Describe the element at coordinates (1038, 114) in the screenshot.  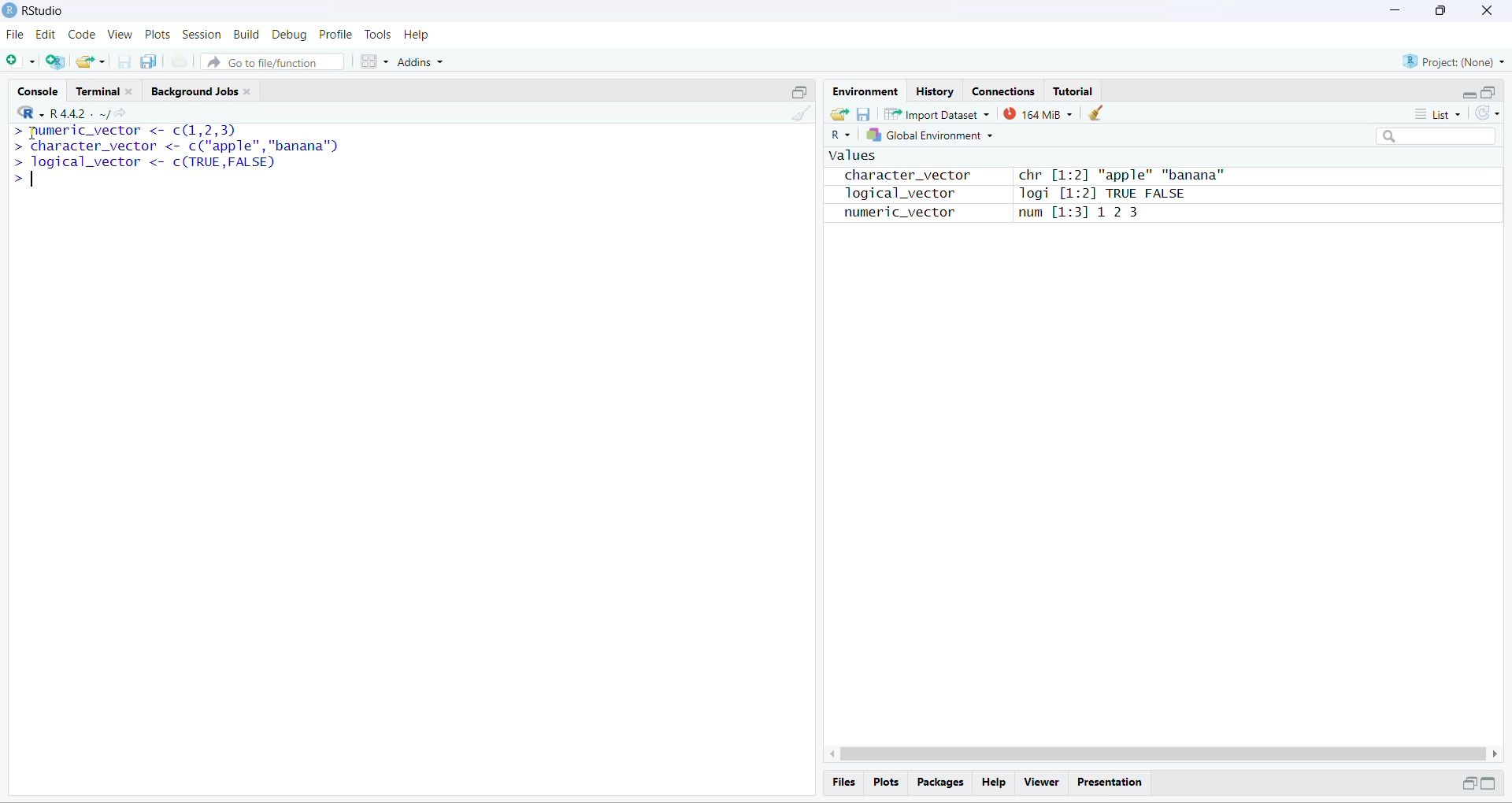
I see `163 MB` at that location.